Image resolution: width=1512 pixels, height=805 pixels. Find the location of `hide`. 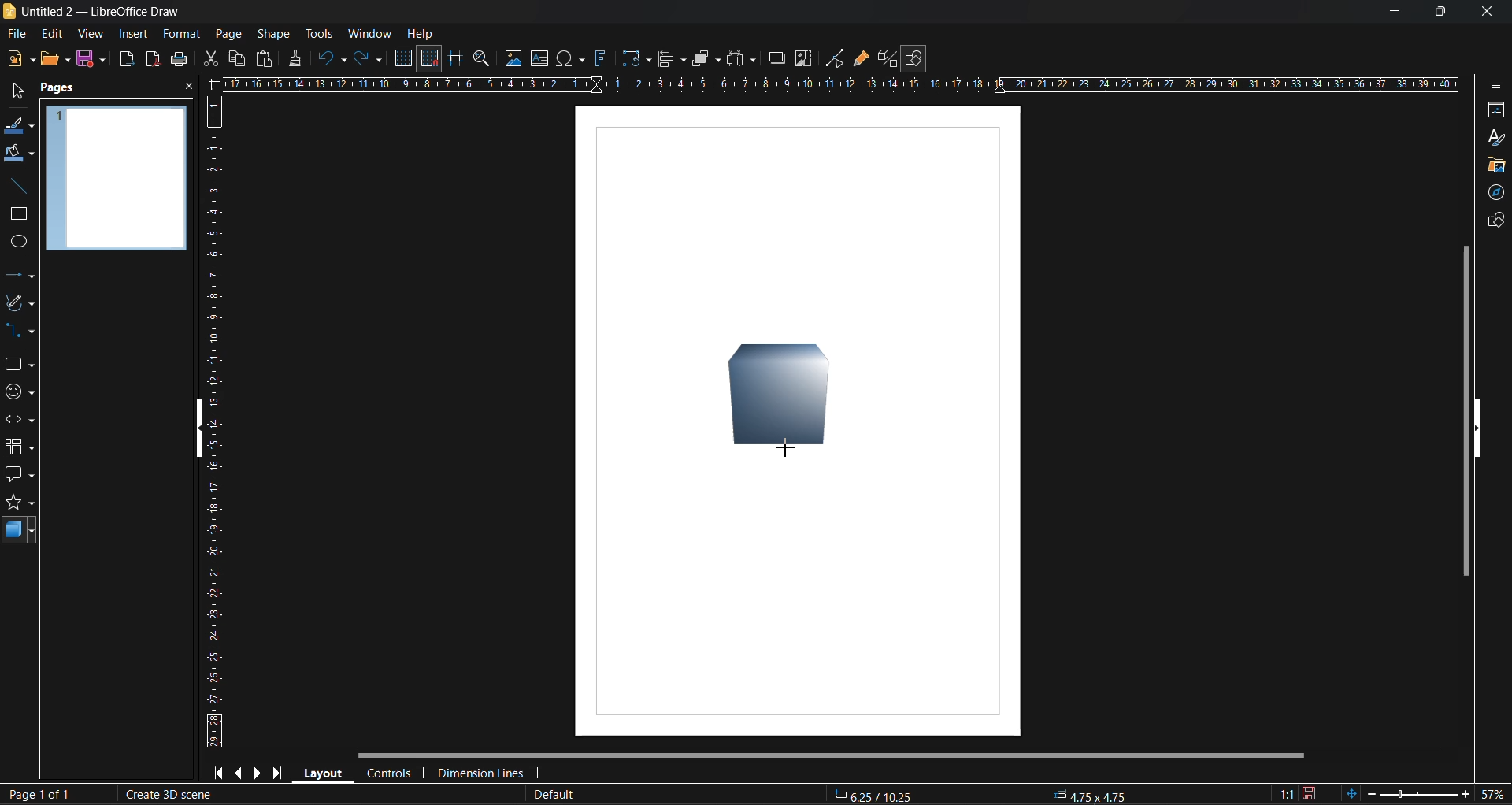

hide is located at coordinates (1477, 428).